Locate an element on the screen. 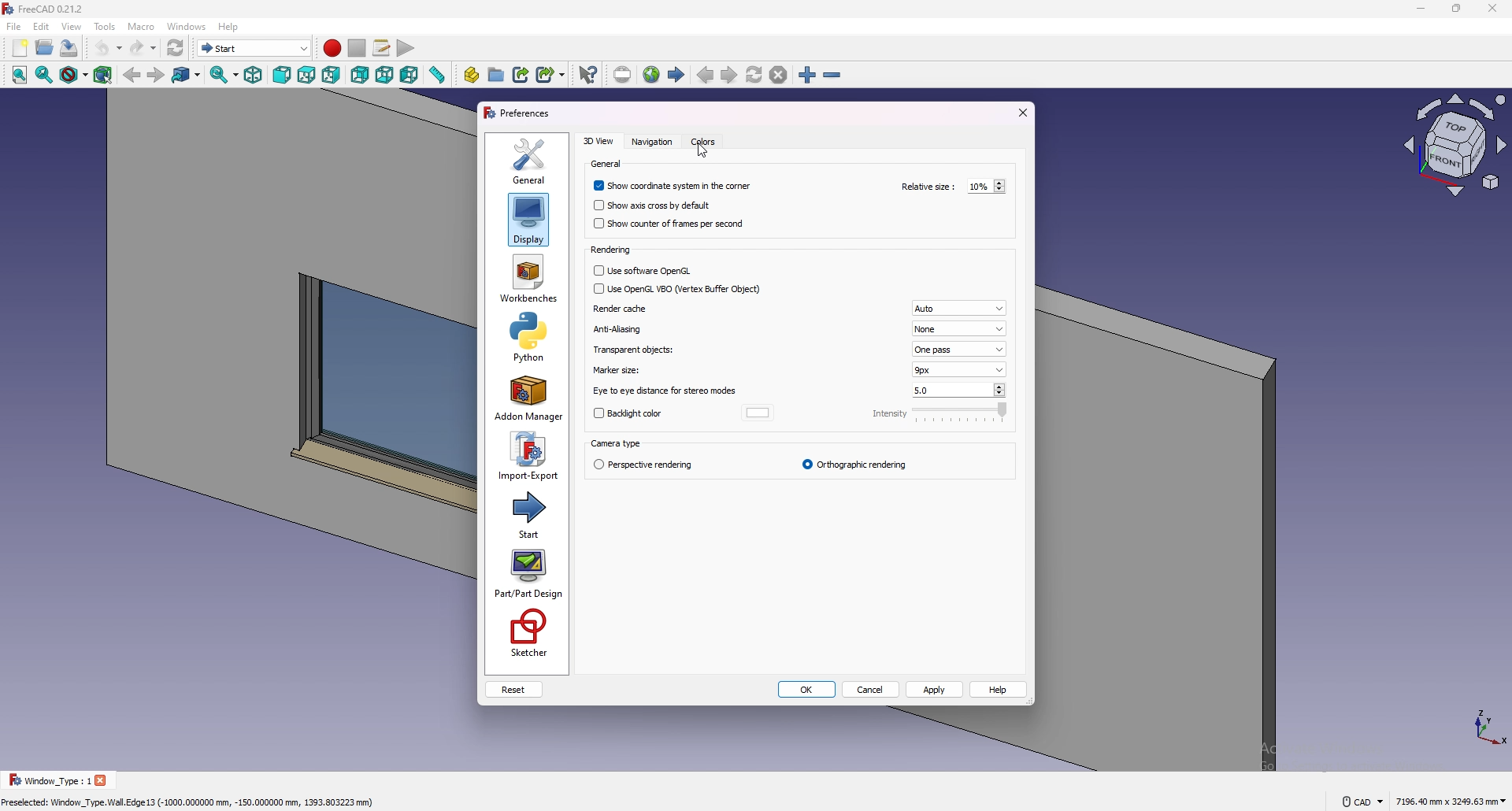 Image resolution: width=1512 pixels, height=811 pixels. Window _Type : 1 is located at coordinates (47, 780).